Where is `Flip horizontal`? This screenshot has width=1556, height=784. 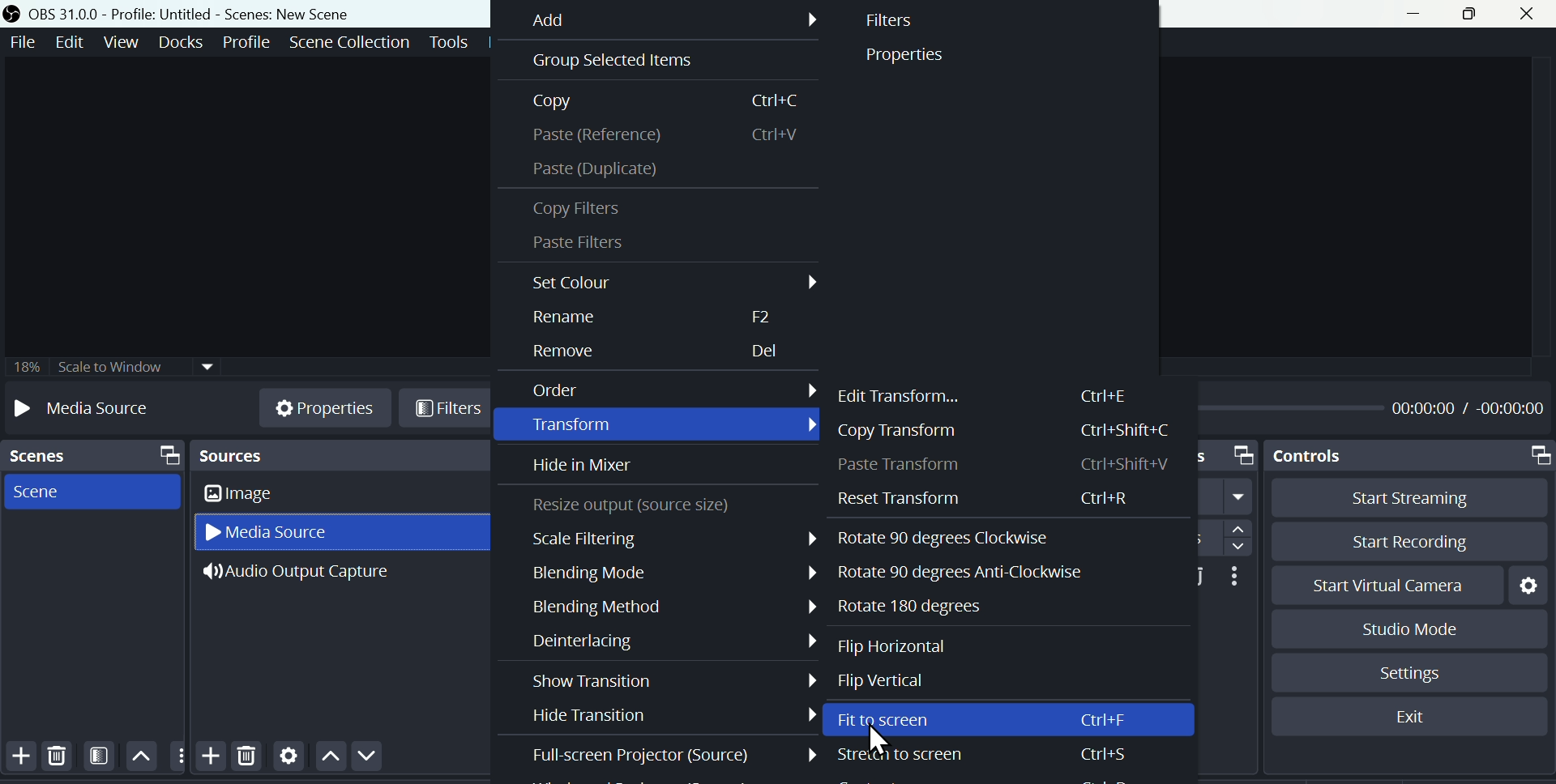 Flip horizontal is located at coordinates (890, 646).